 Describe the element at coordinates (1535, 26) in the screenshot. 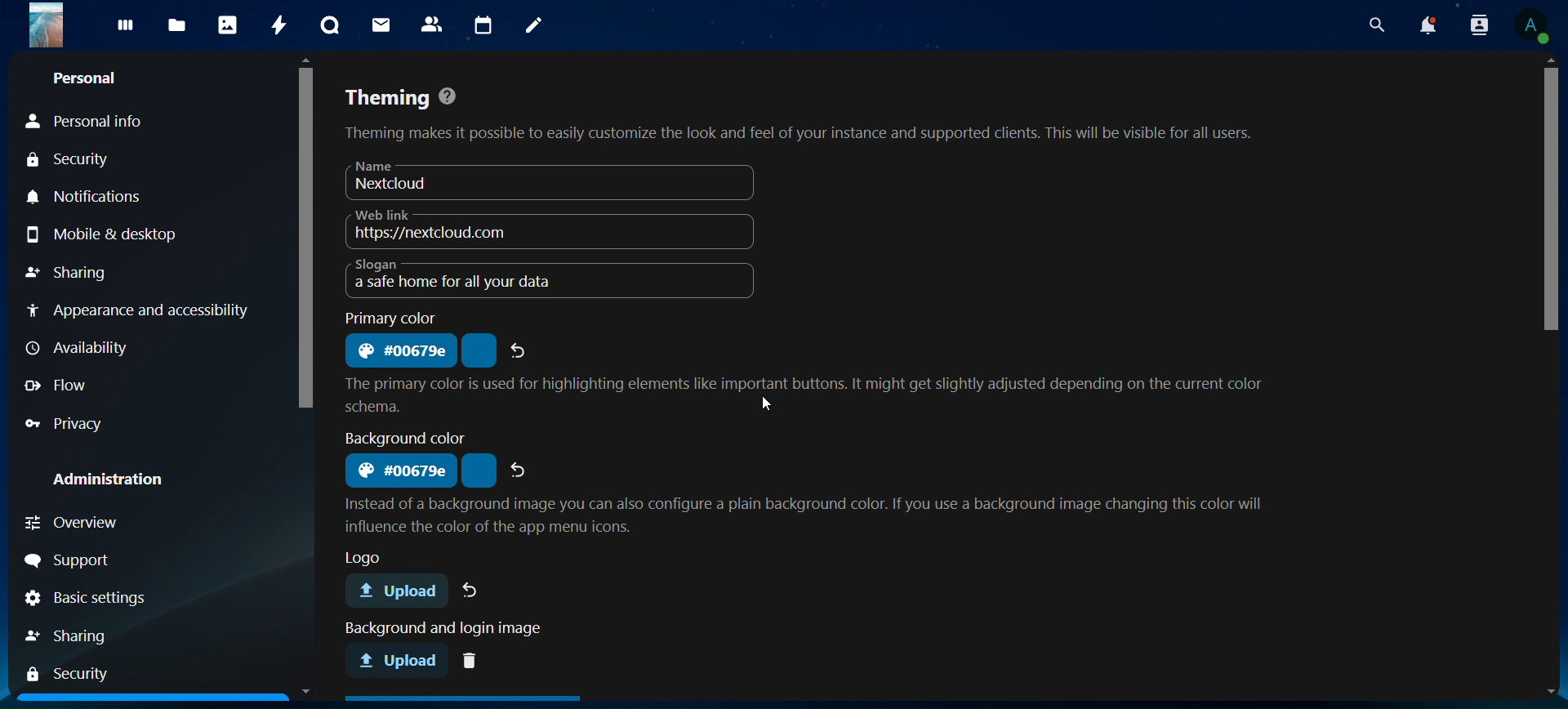

I see `profile` at that location.